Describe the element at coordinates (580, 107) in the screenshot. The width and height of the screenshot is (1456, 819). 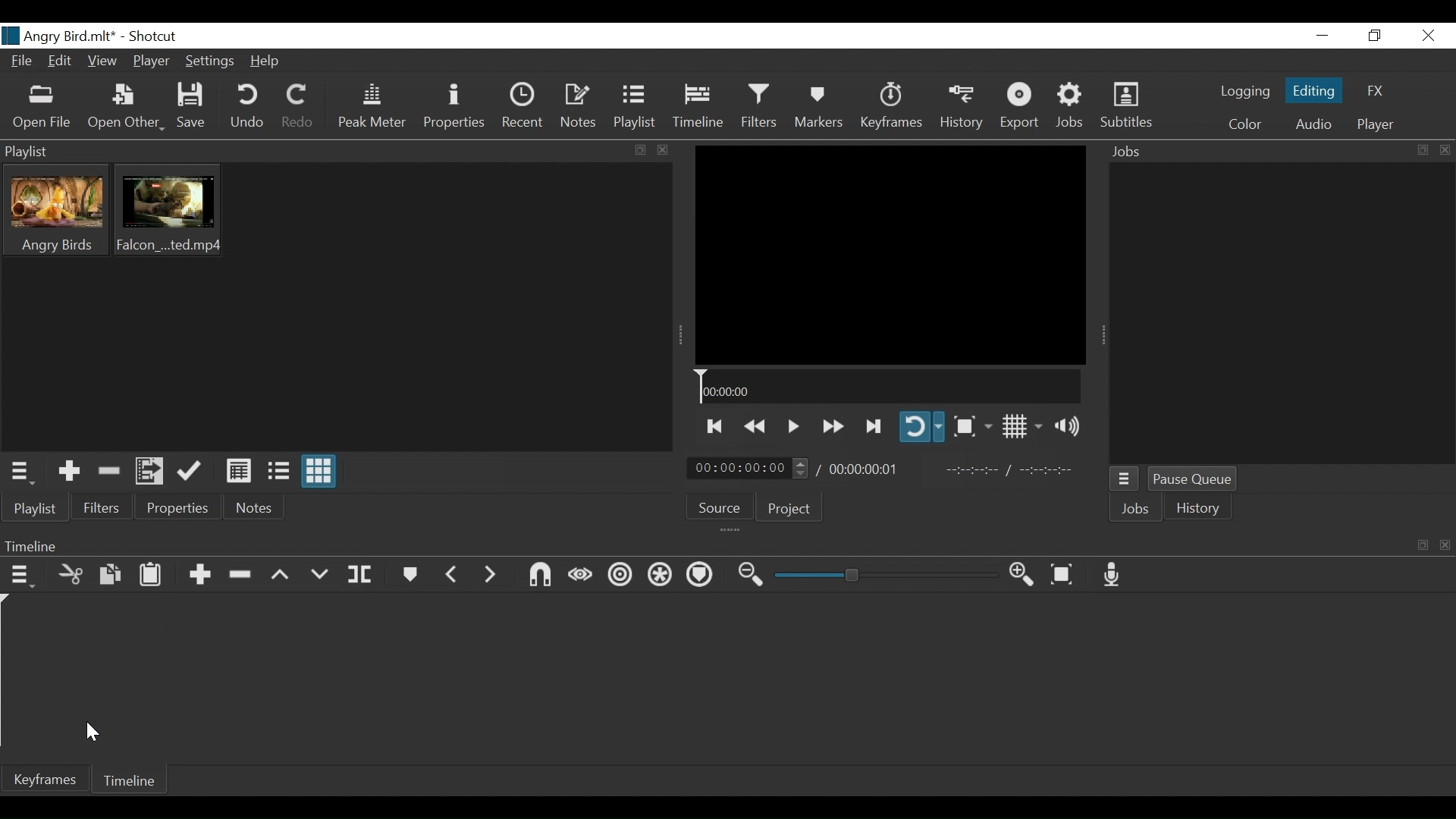
I see `` at that location.